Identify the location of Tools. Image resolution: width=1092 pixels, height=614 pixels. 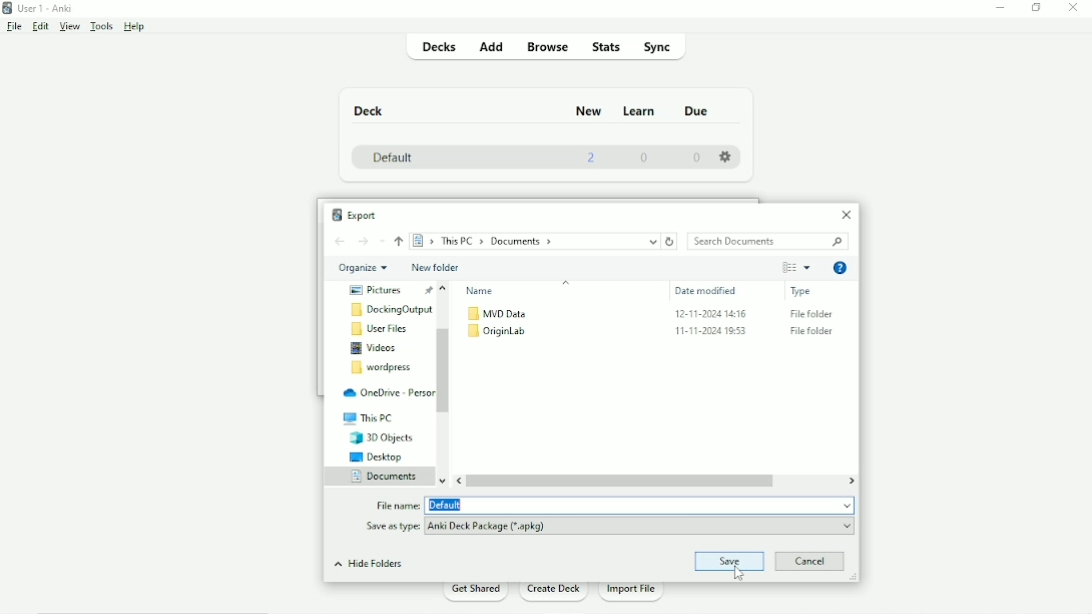
(103, 26).